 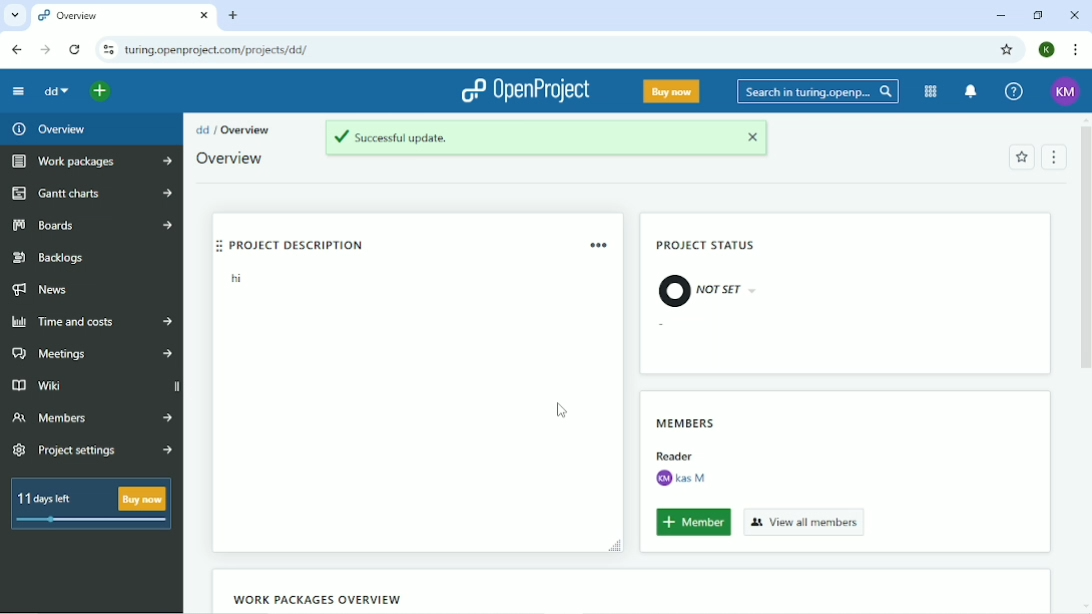 I want to click on dd, so click(x=59, y=93).